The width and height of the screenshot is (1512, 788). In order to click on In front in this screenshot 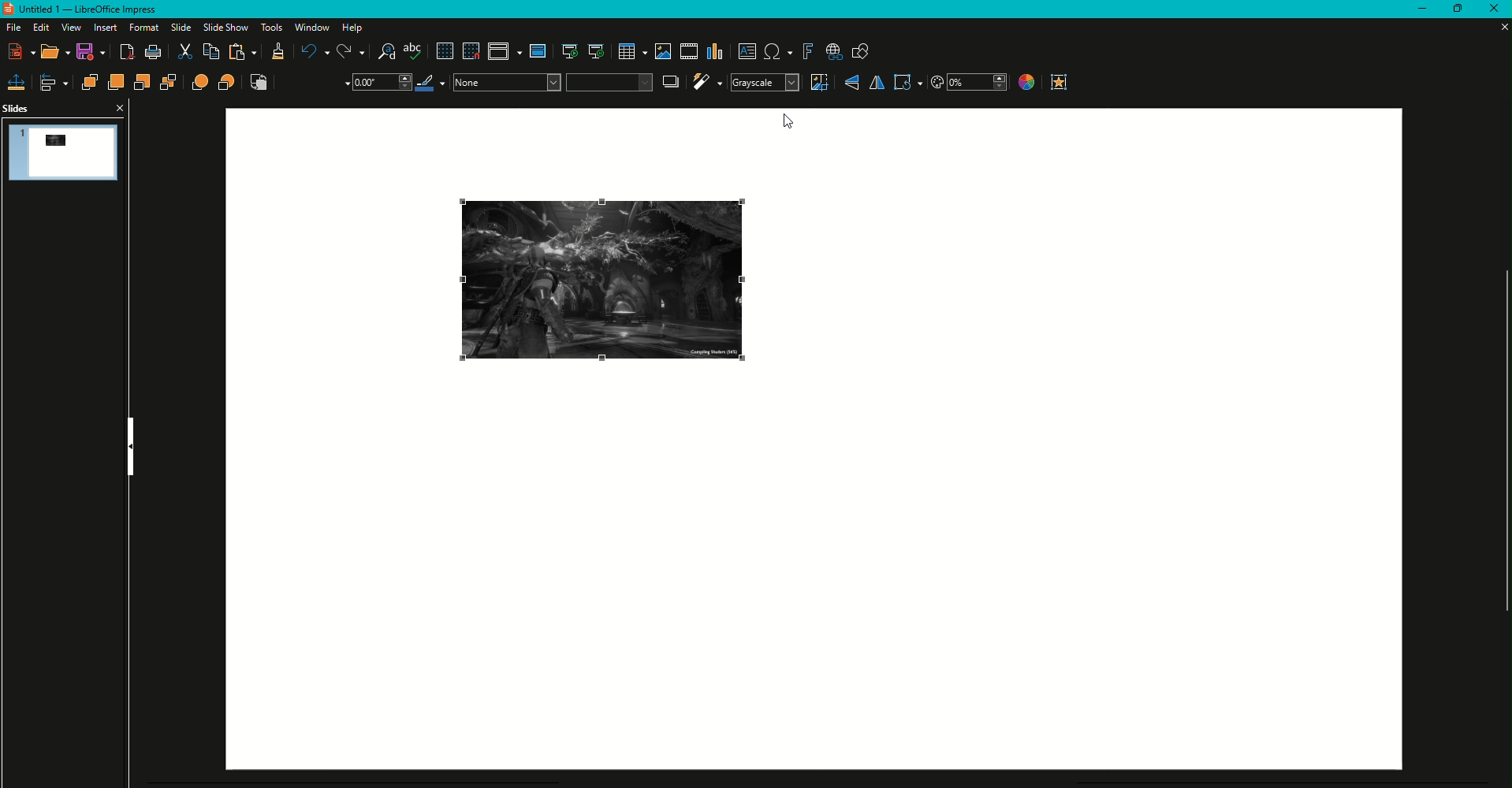, I will do `click(201, 83)`.